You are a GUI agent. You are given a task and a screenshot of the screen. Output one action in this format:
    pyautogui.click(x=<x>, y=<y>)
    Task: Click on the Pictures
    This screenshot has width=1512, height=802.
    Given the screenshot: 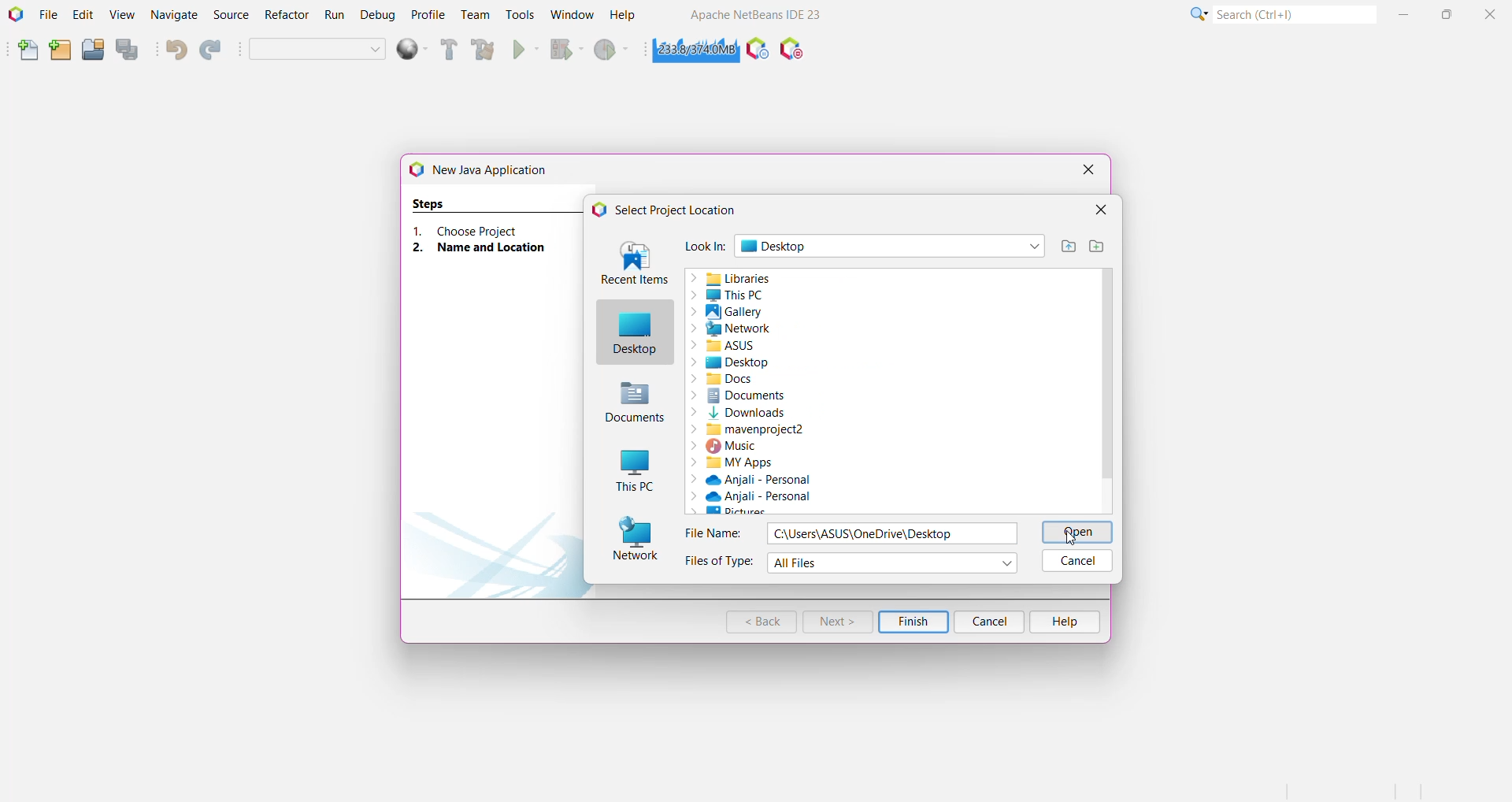 What is the action you would take?
    pyautogui.click(x=784, y=510)
    